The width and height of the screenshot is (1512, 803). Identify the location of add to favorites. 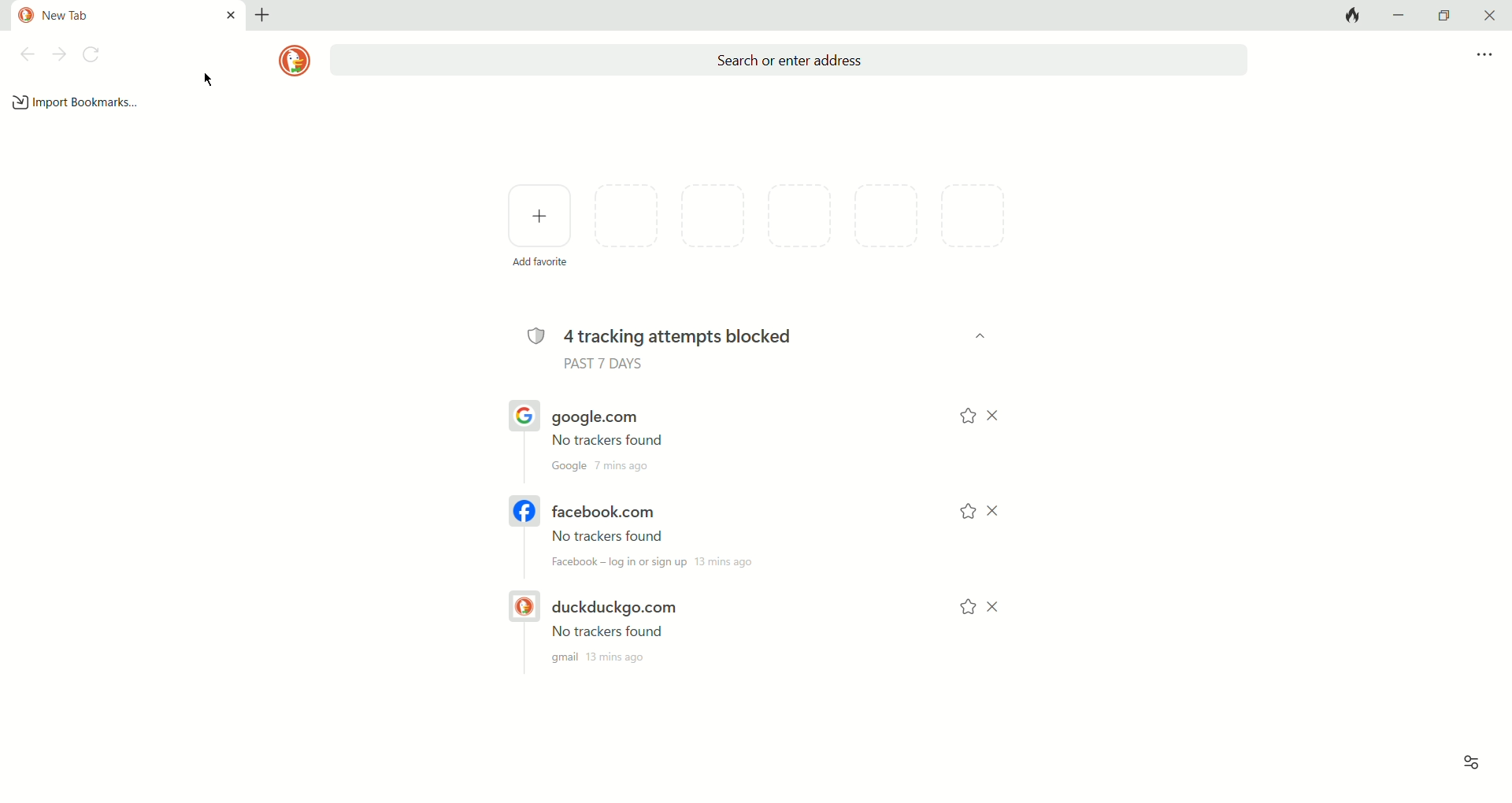
(966, 416).